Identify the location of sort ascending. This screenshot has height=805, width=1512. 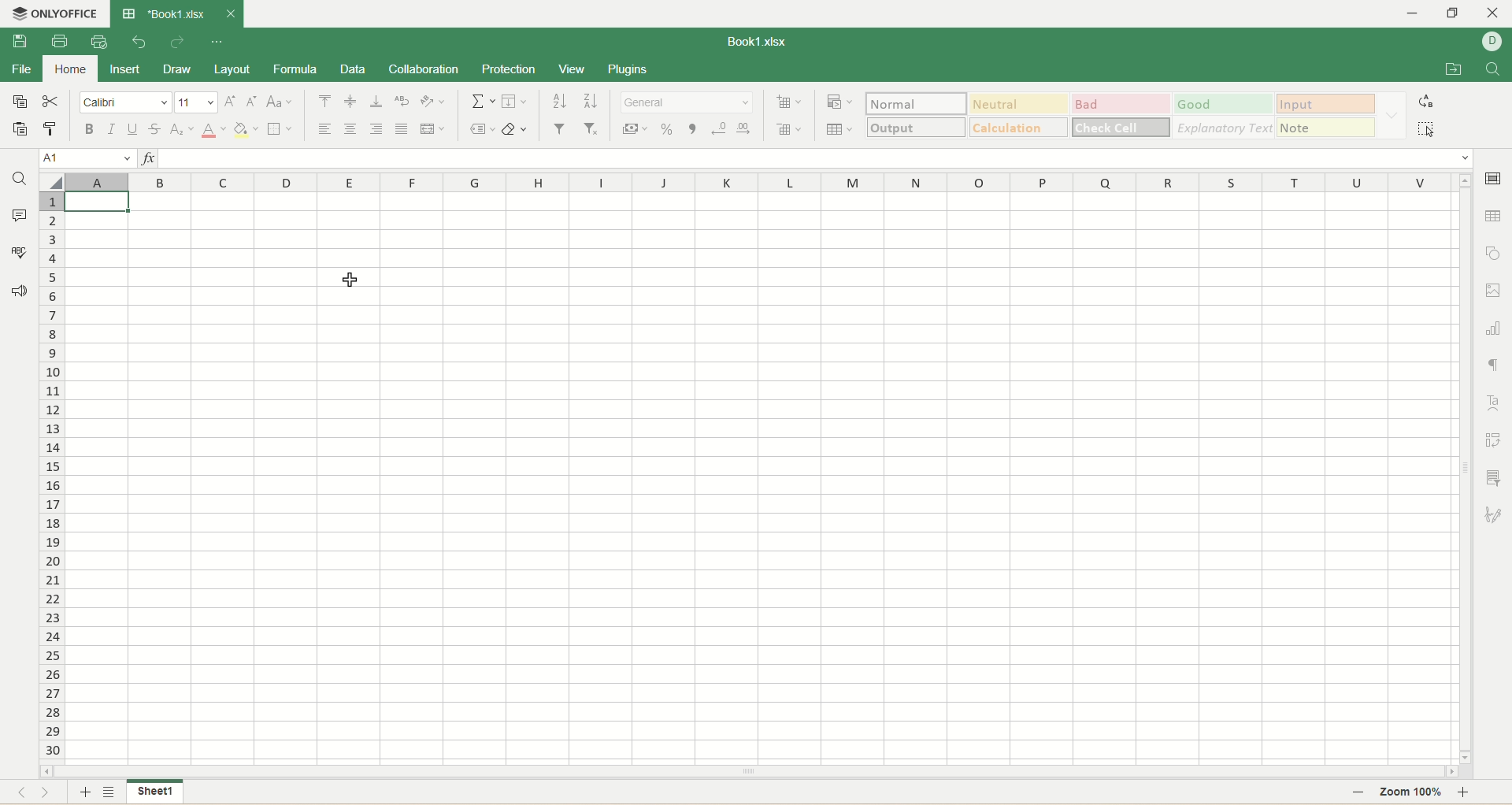
(561, 102).